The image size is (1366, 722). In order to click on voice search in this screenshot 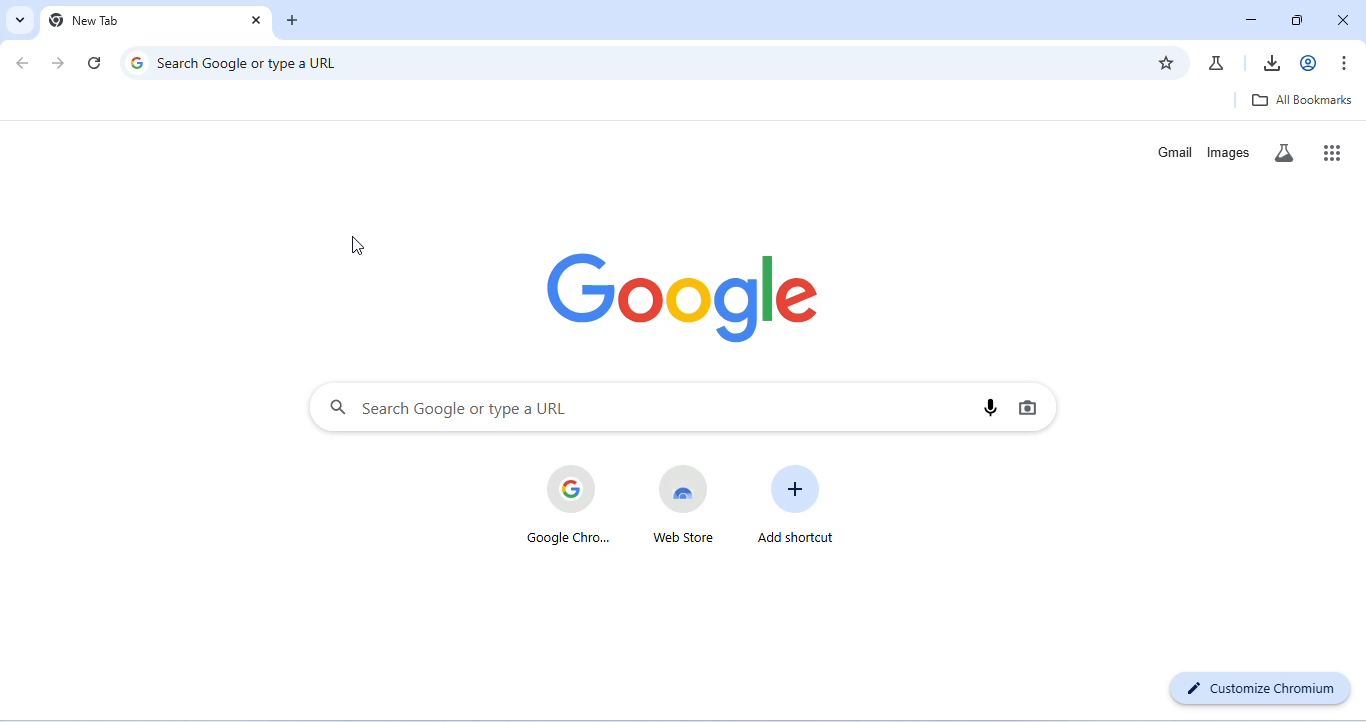, I will do `click(989, 408)`.